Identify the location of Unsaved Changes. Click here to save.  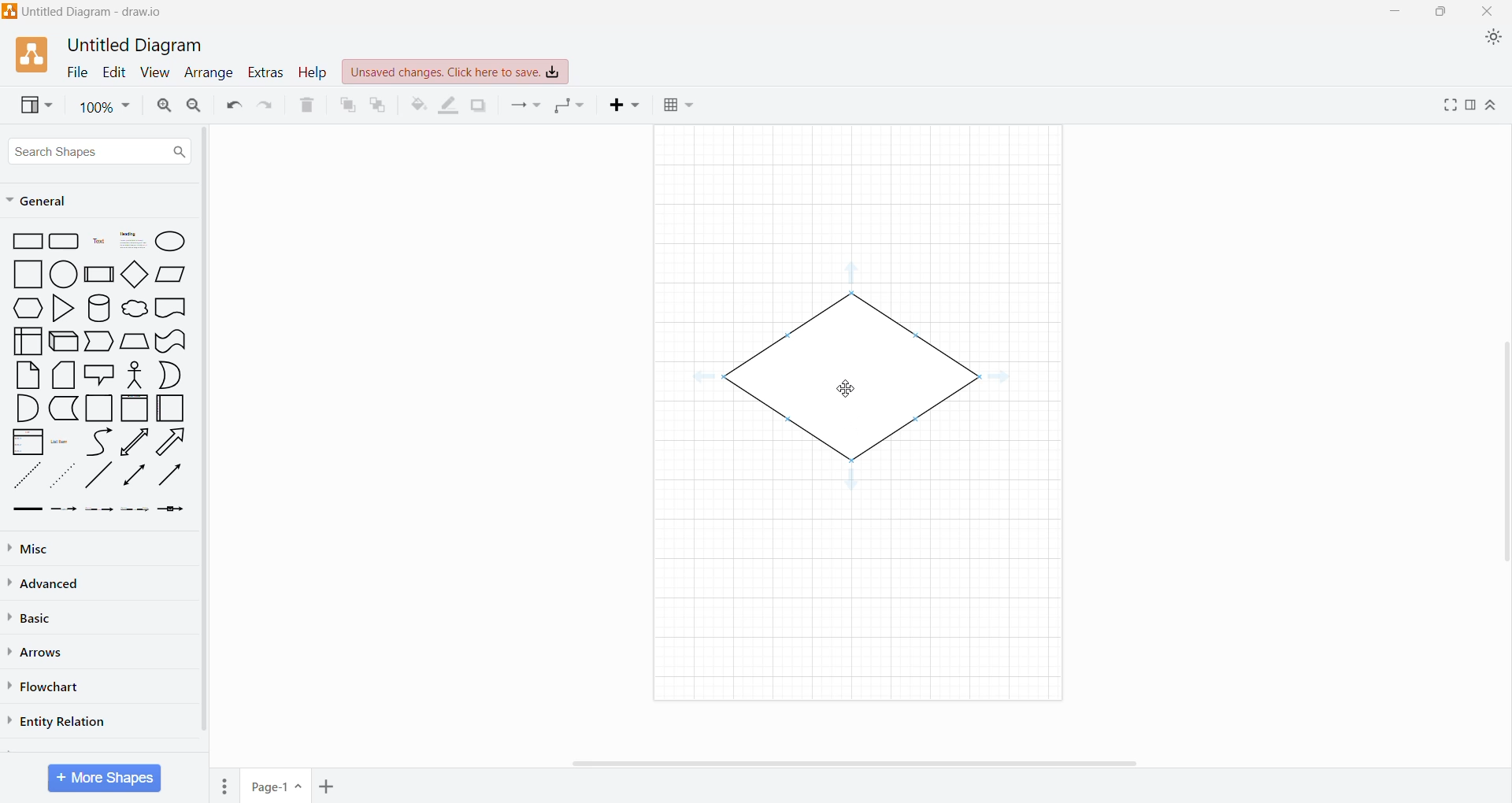
(455, 72).